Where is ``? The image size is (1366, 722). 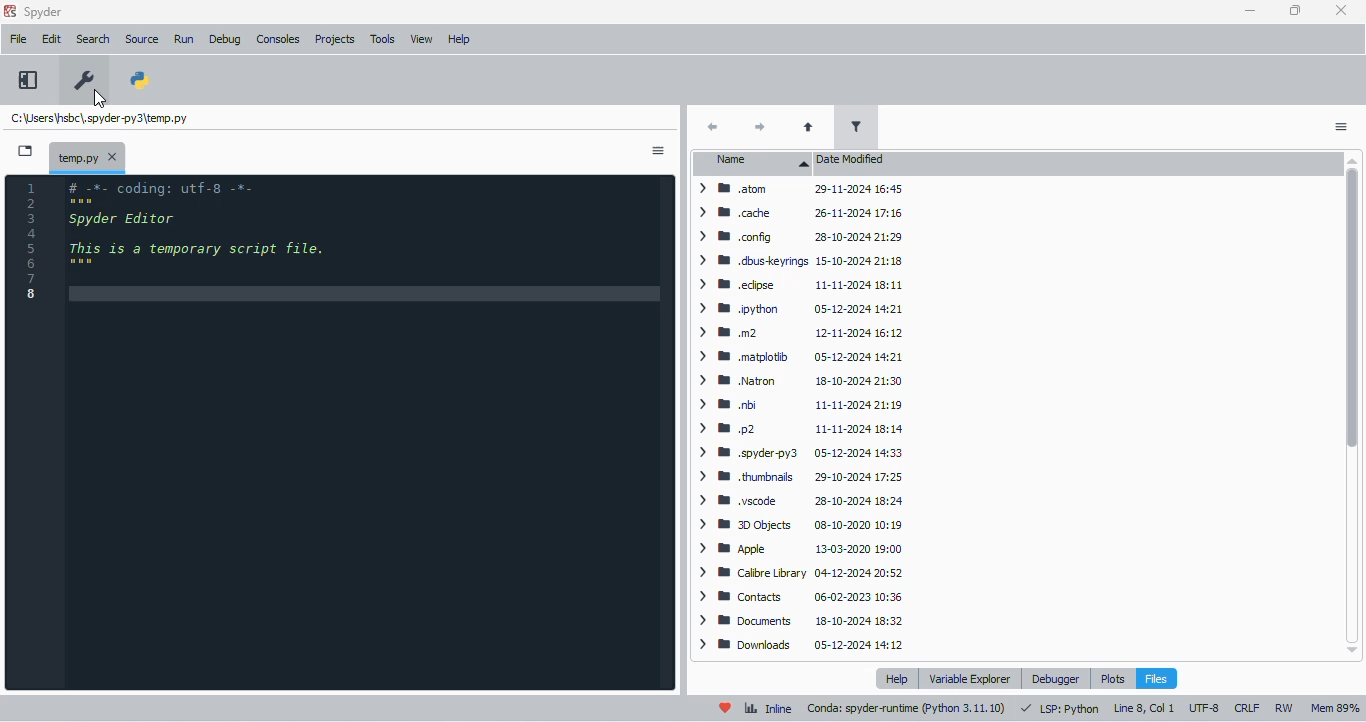  is located at coordinates (797, 191).